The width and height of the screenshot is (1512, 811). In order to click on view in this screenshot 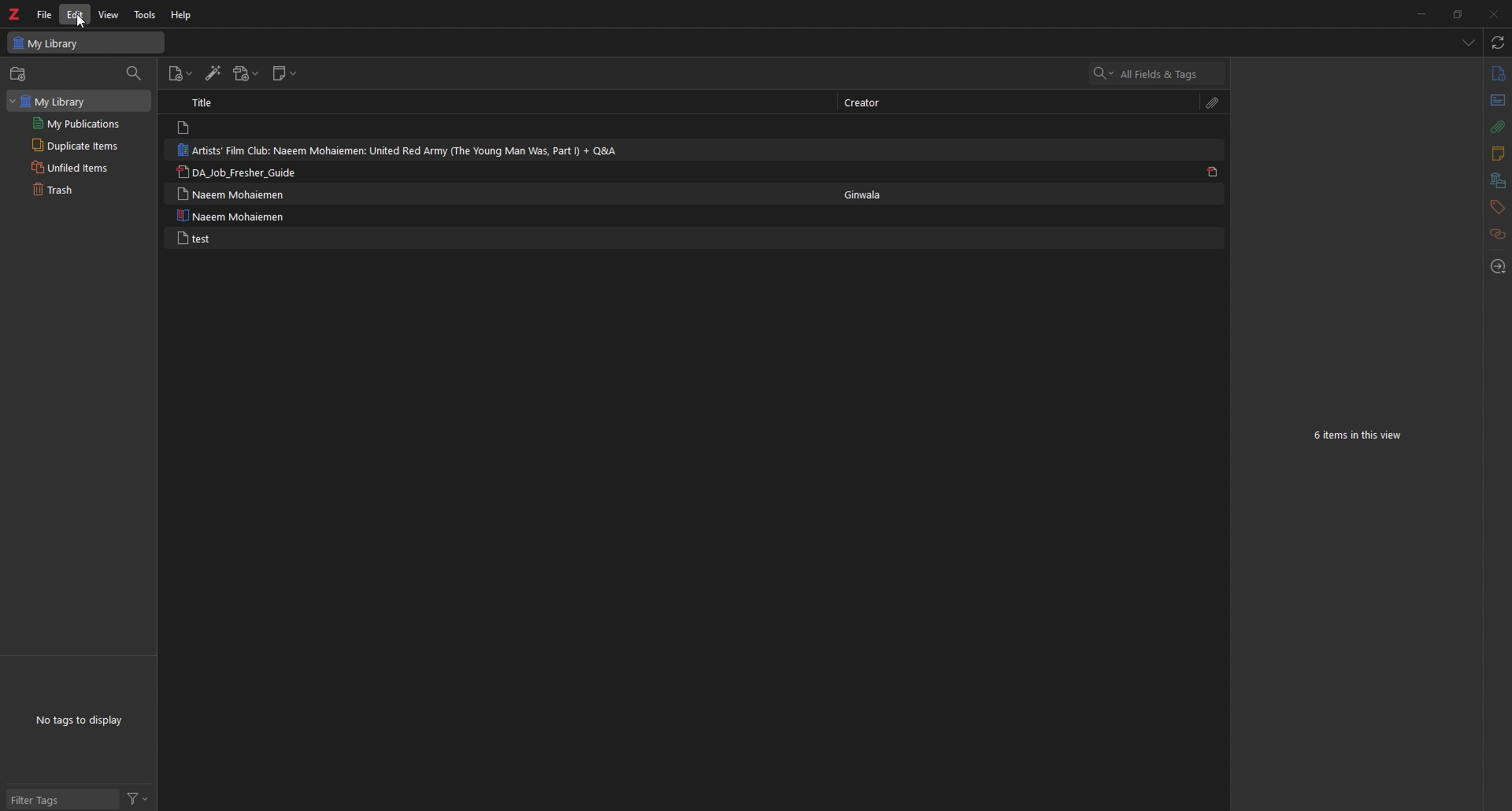, I will do `click(111, 15)`.